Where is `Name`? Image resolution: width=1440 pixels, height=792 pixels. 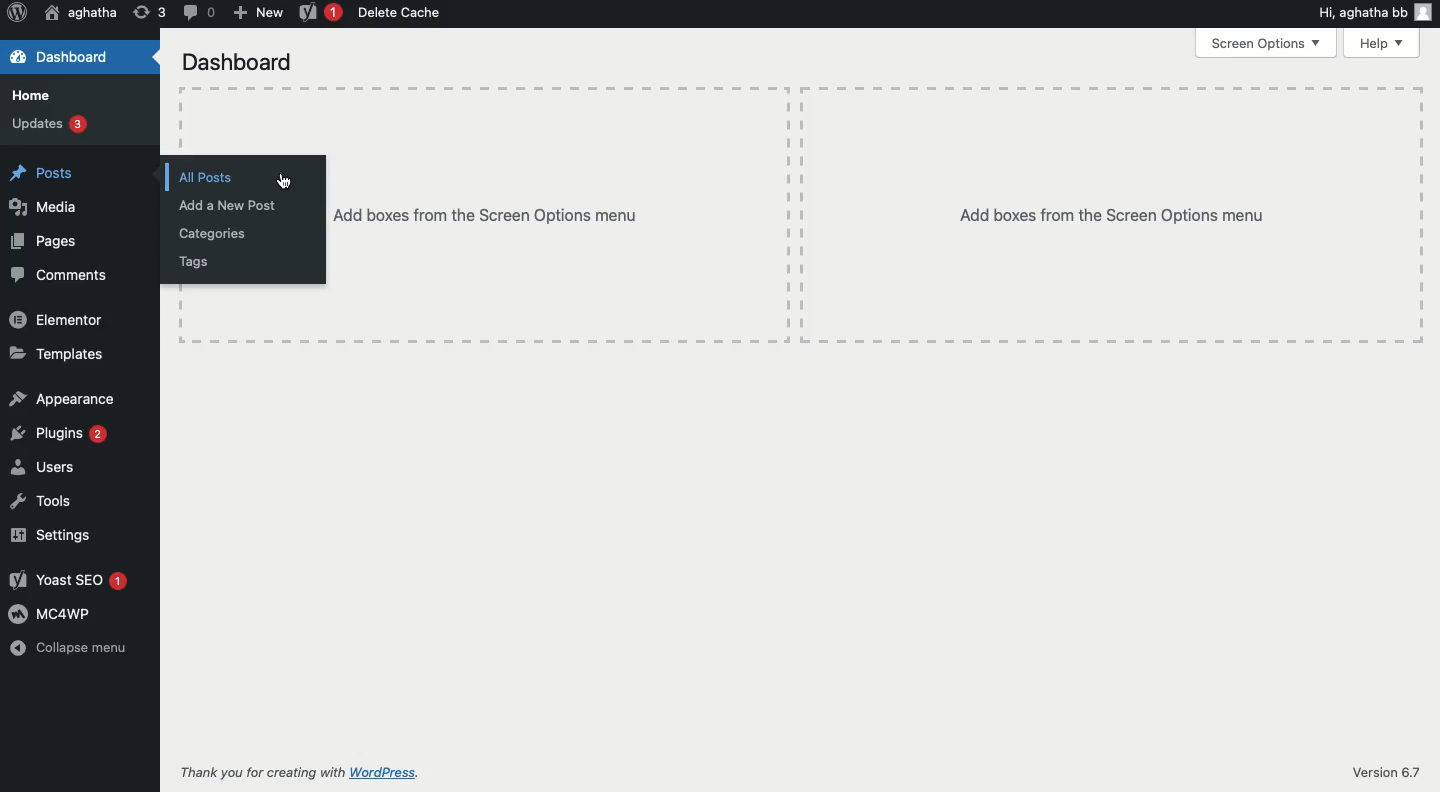 Name is located at coordinates (77, 15).